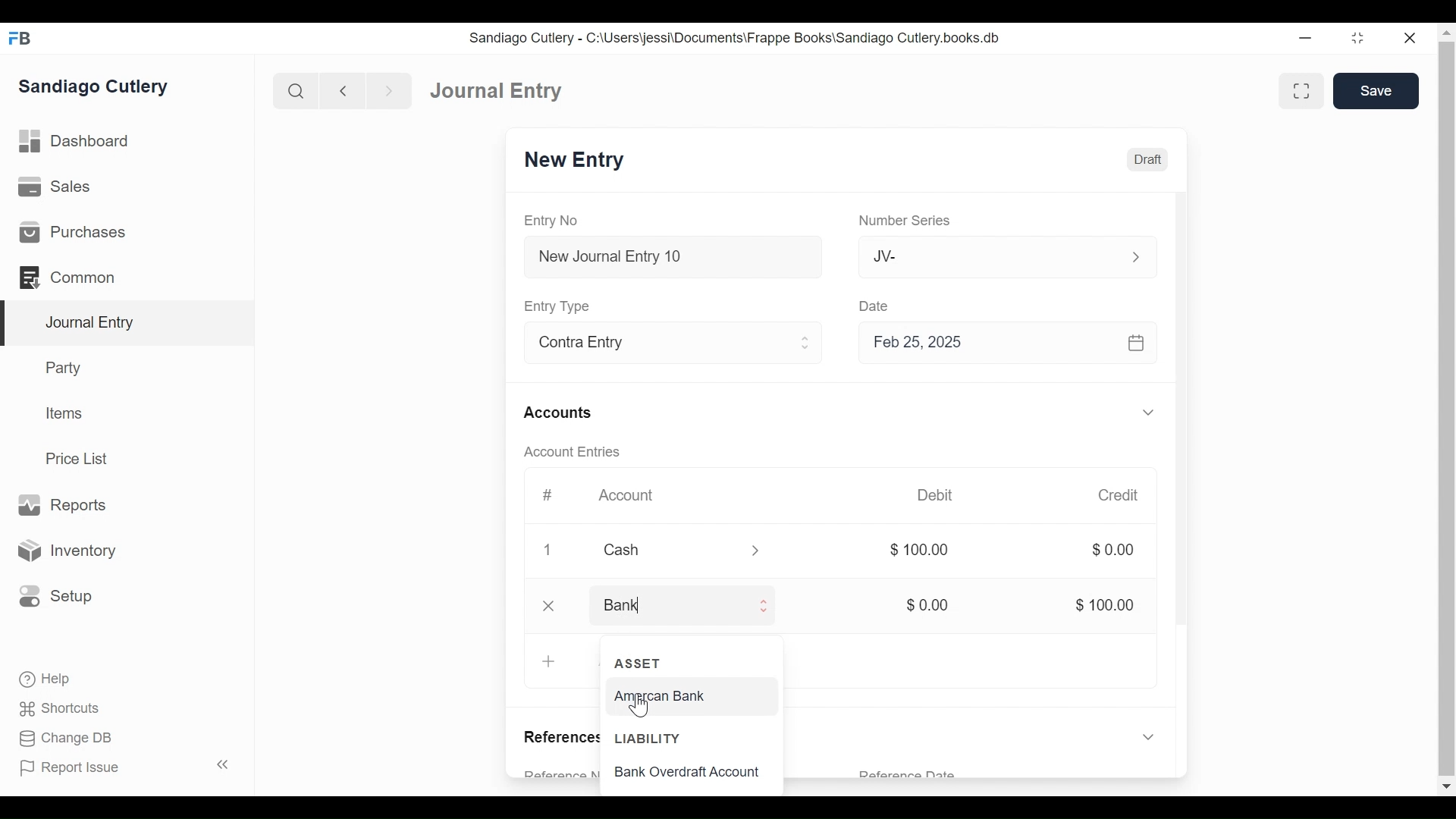 This screenshot has width=1456, height=819. I want to click on ASSET, so click(640, 663).